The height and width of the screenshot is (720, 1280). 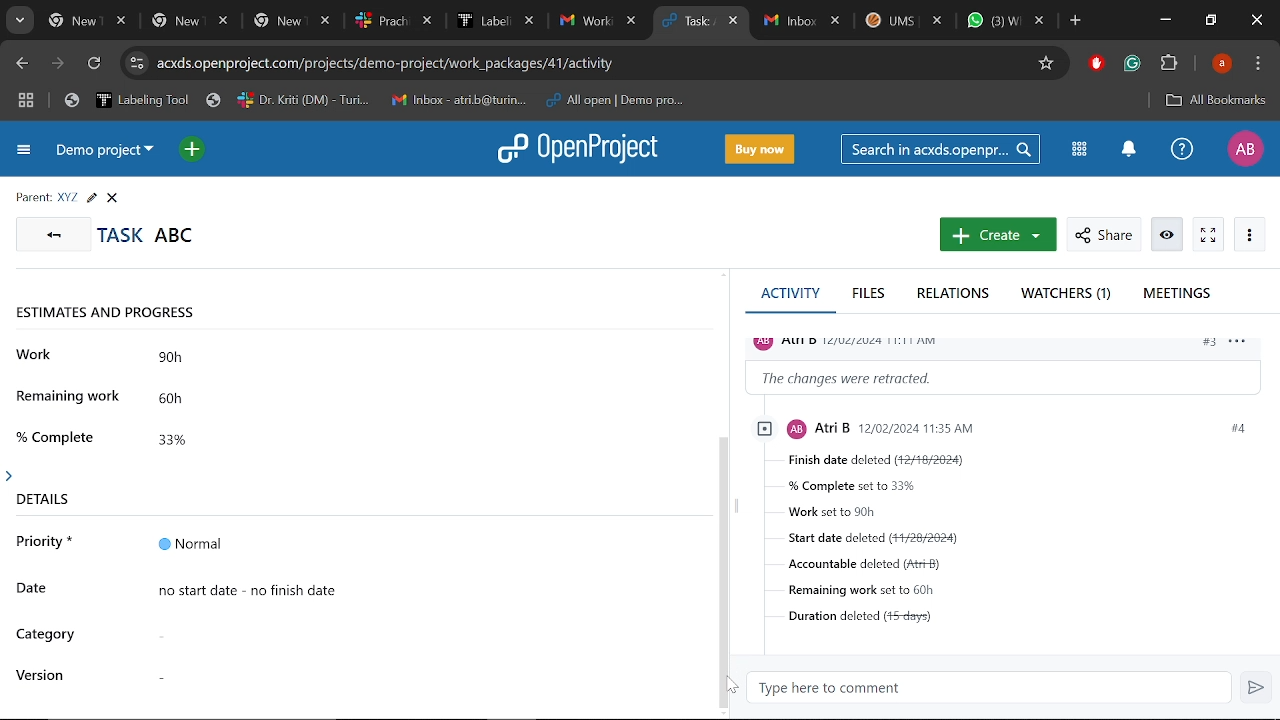 What do you see at coordinates (1006, 377) in the screenshot?
I see `Change information` at bounding box center [1006, 377].